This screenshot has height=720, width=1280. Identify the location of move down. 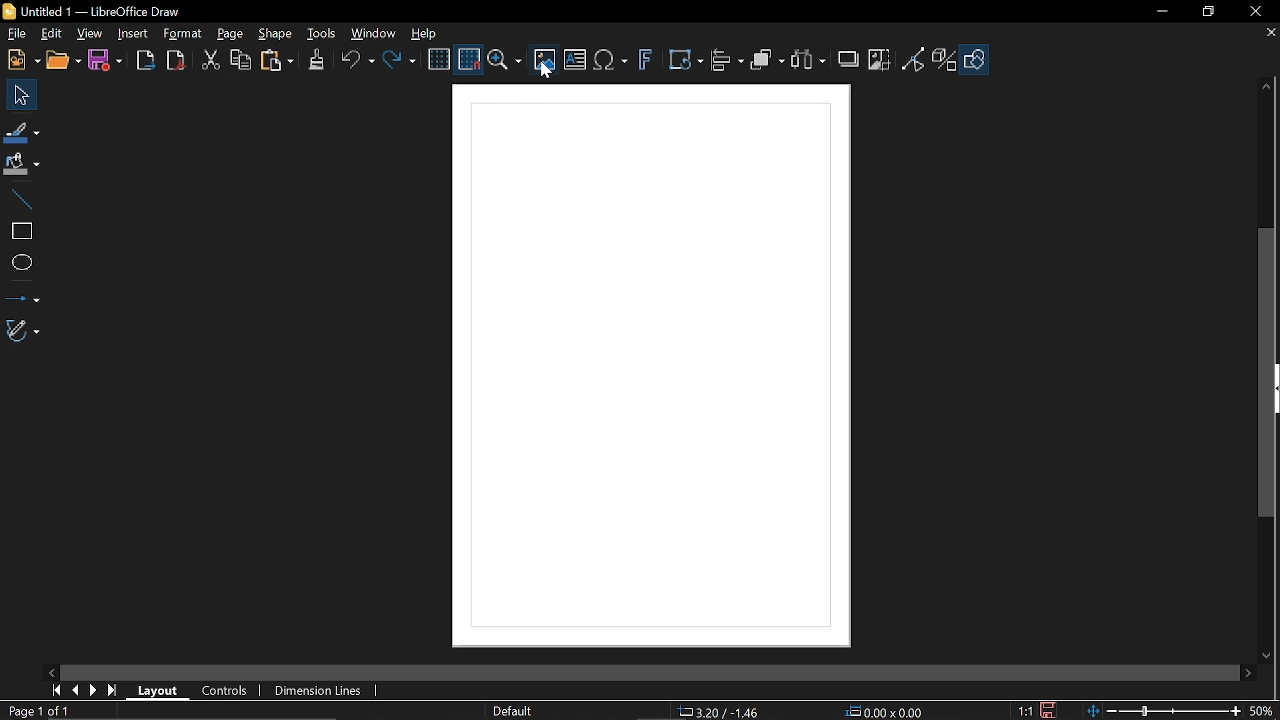
(1272, 656).